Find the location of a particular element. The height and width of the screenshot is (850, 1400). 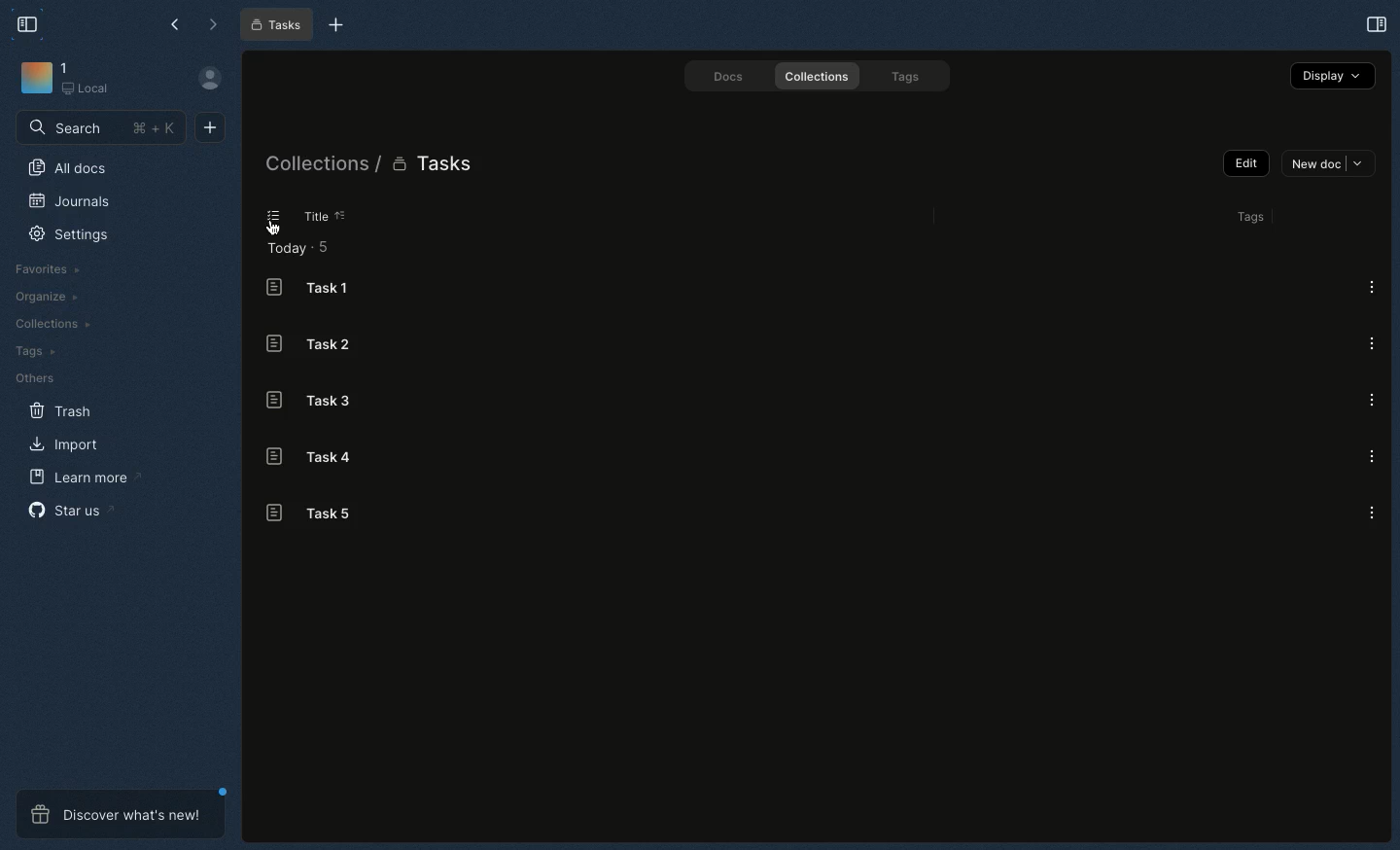

Journals is located at coordinates (70, 201).